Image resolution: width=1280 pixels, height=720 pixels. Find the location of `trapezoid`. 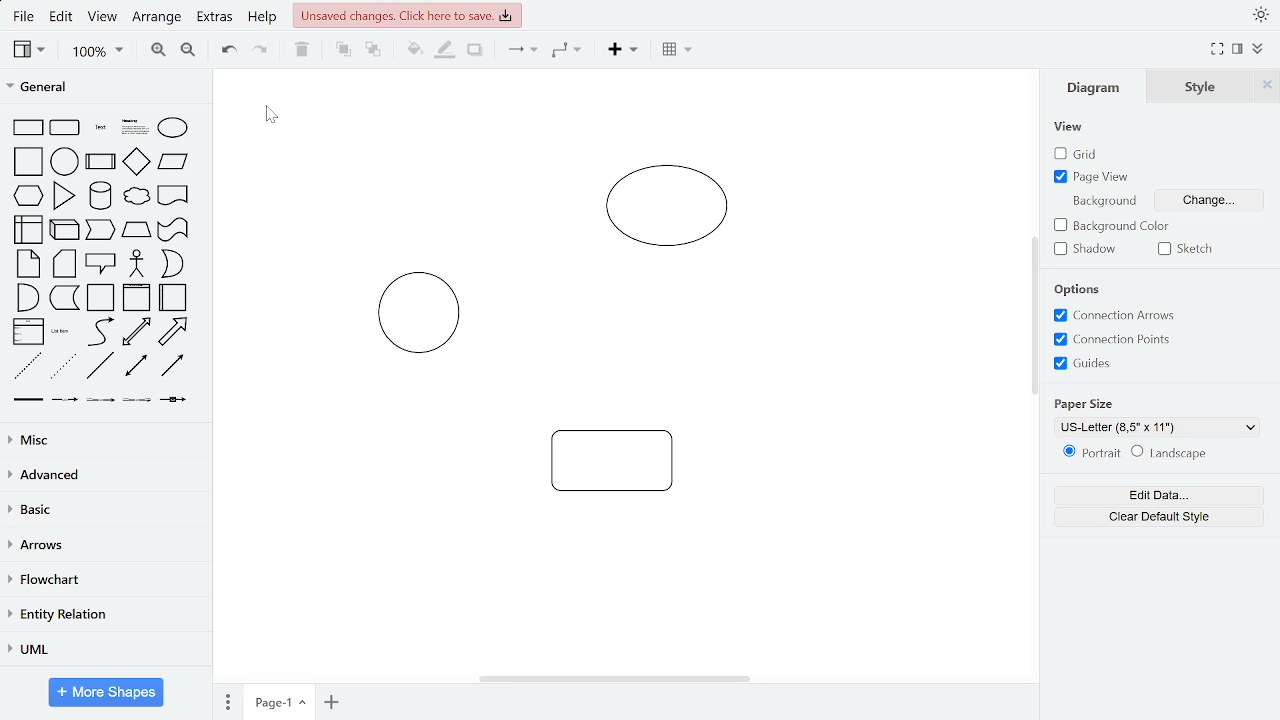

trapezoid is located at coordinates (137, 230).